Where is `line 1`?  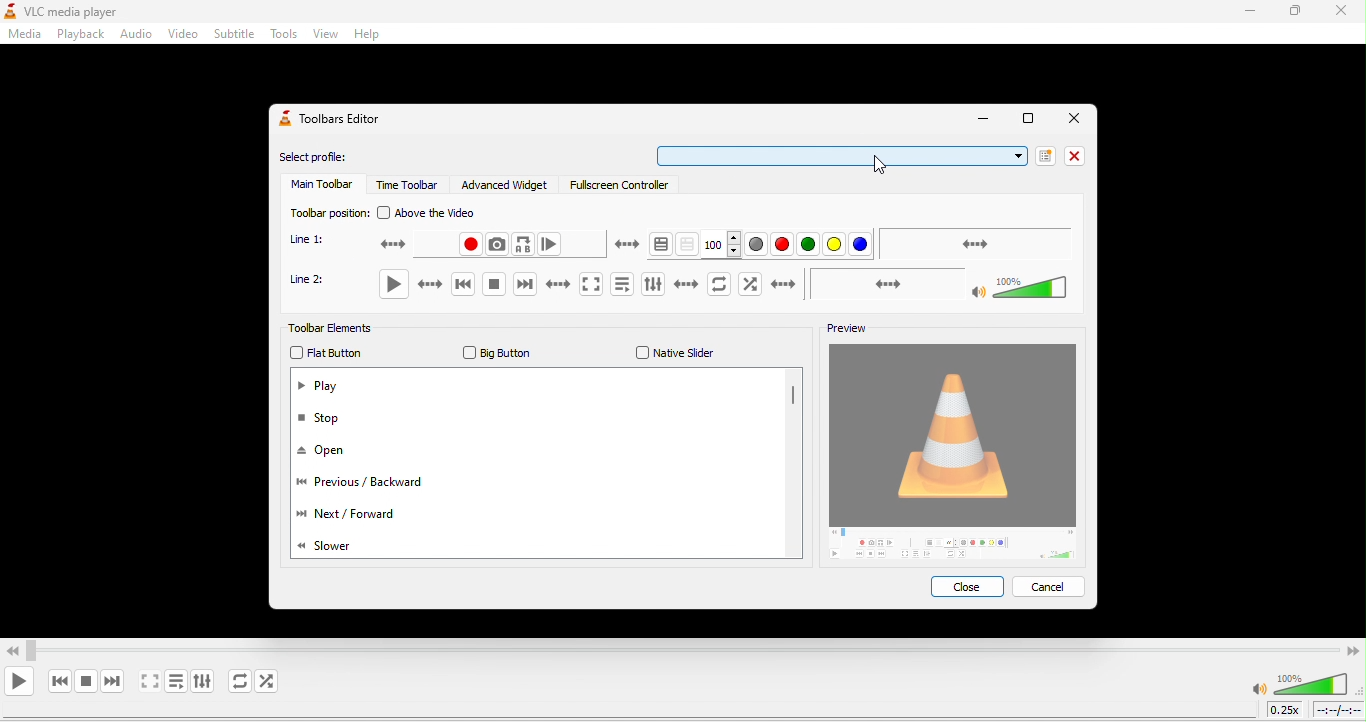 line 1 is located at coordinates (310, 240).